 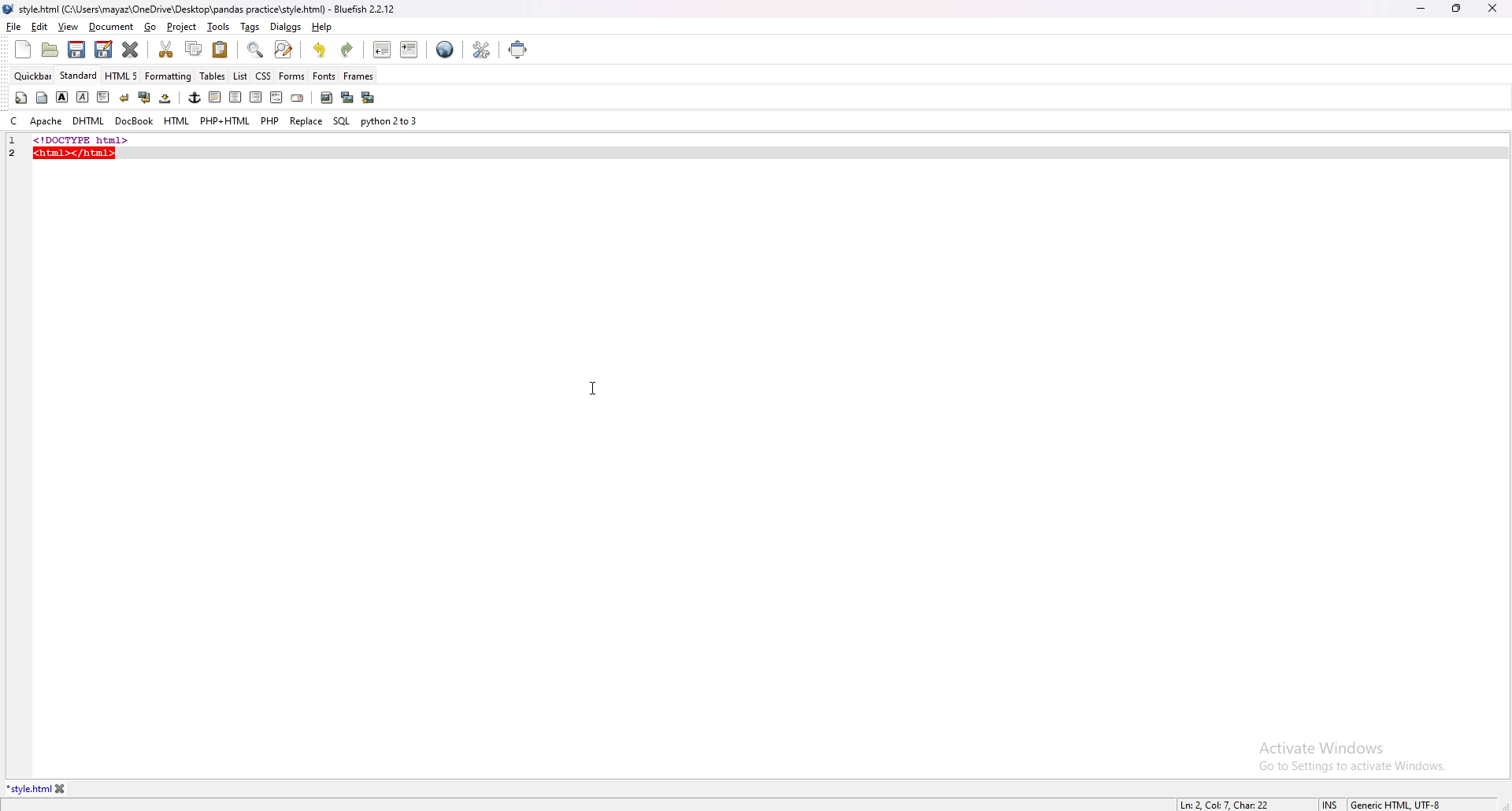 What do you see at coordinates (183, 27) in the screenshot?
I see `project` at bounding box center [183, 27].